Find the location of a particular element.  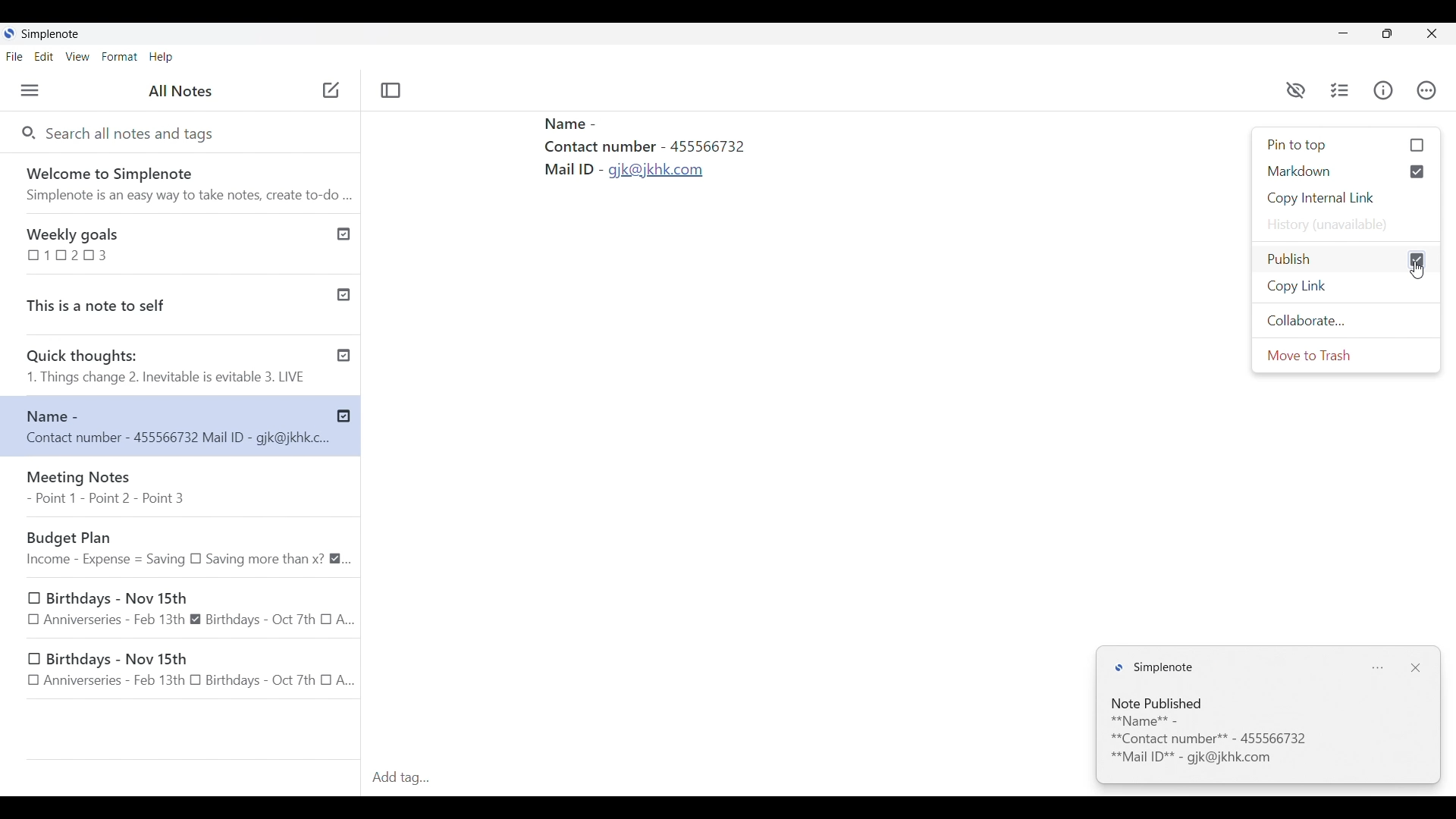

Note status is located at coordinates (1159, 704).